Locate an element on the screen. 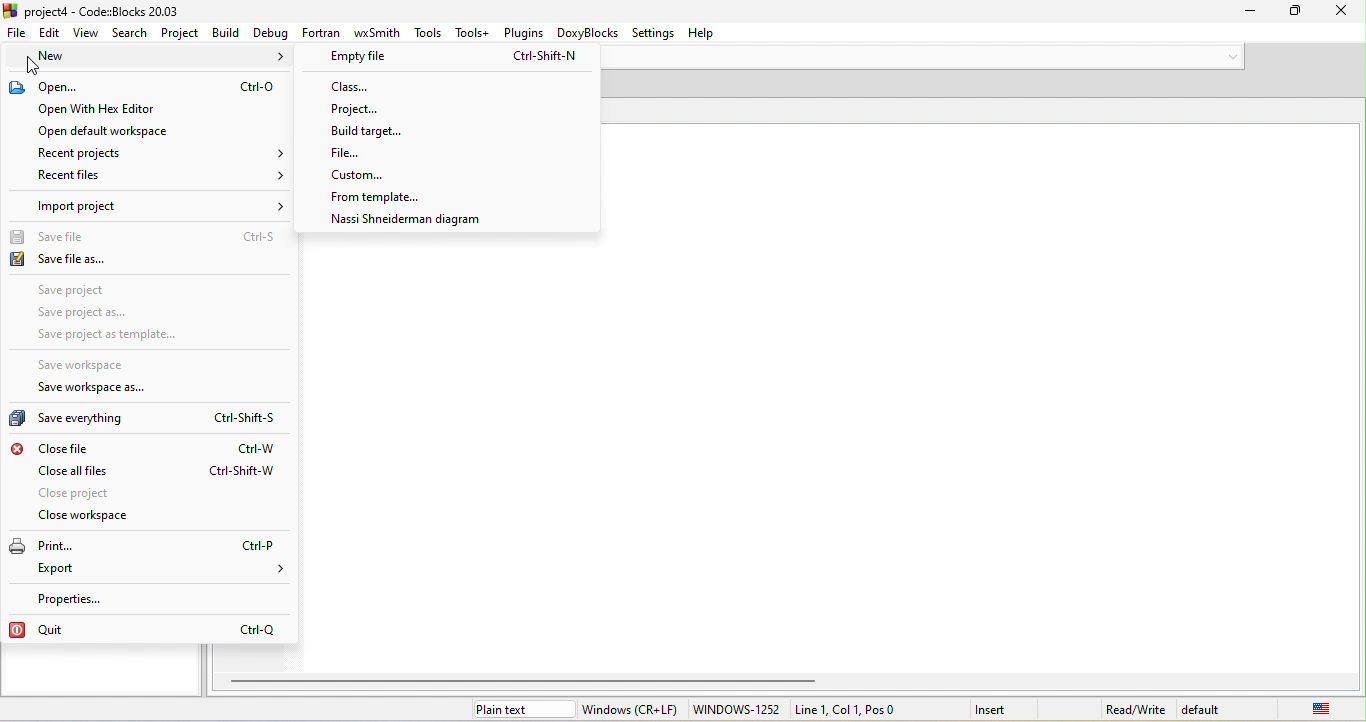 This screenshot has height=722, width=1366. settings is located at coordinates (656, 32).